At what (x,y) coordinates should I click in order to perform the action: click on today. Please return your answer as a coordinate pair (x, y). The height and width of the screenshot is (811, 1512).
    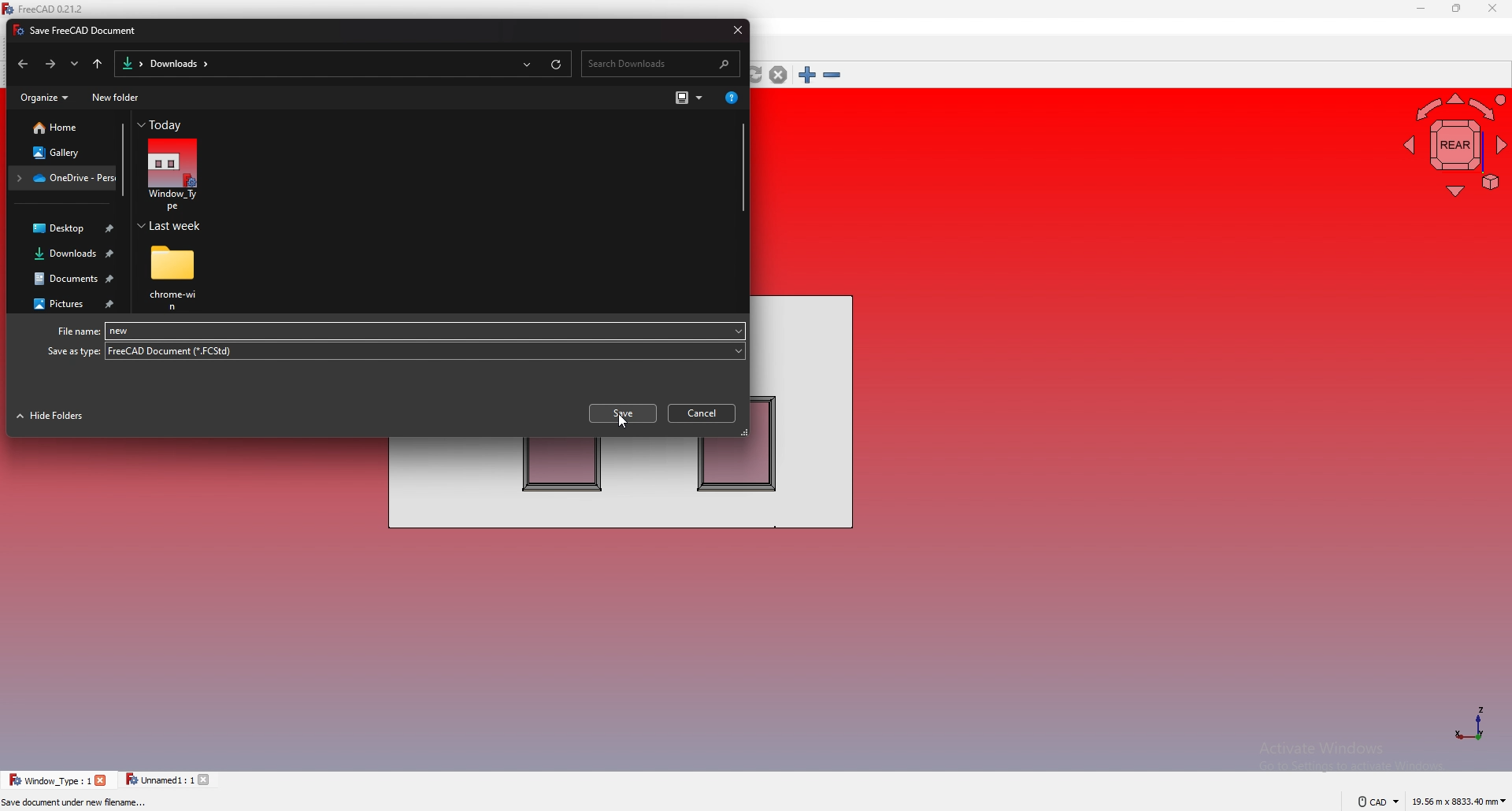
    Looking at the image, I should click on (164, 126).